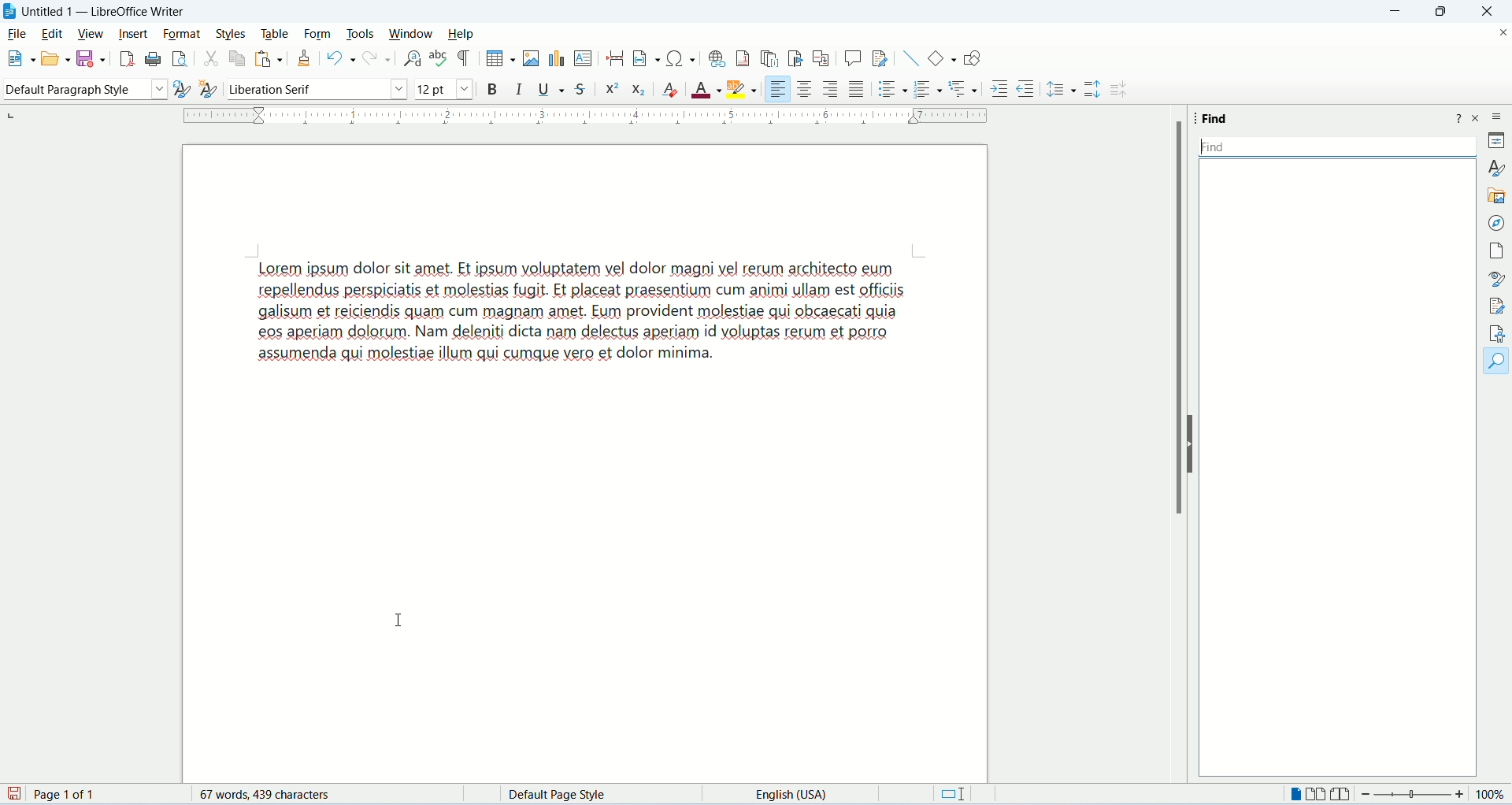  What do you see at coordinates (609, 325) in the screenshot?
I see `demo text - Lorem ipsum` at bounding box center [609, 325].